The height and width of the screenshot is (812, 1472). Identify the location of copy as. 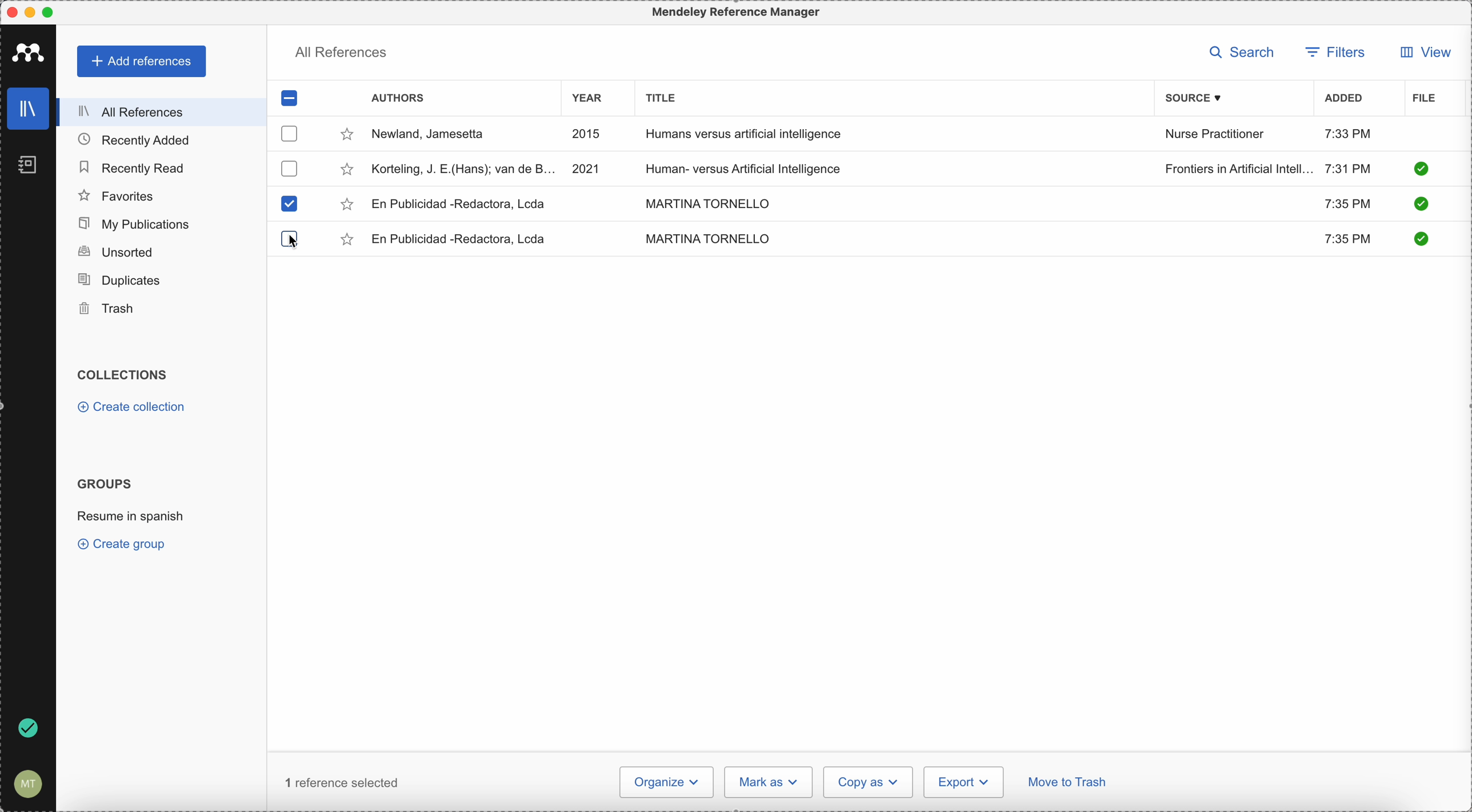
(869, 782).